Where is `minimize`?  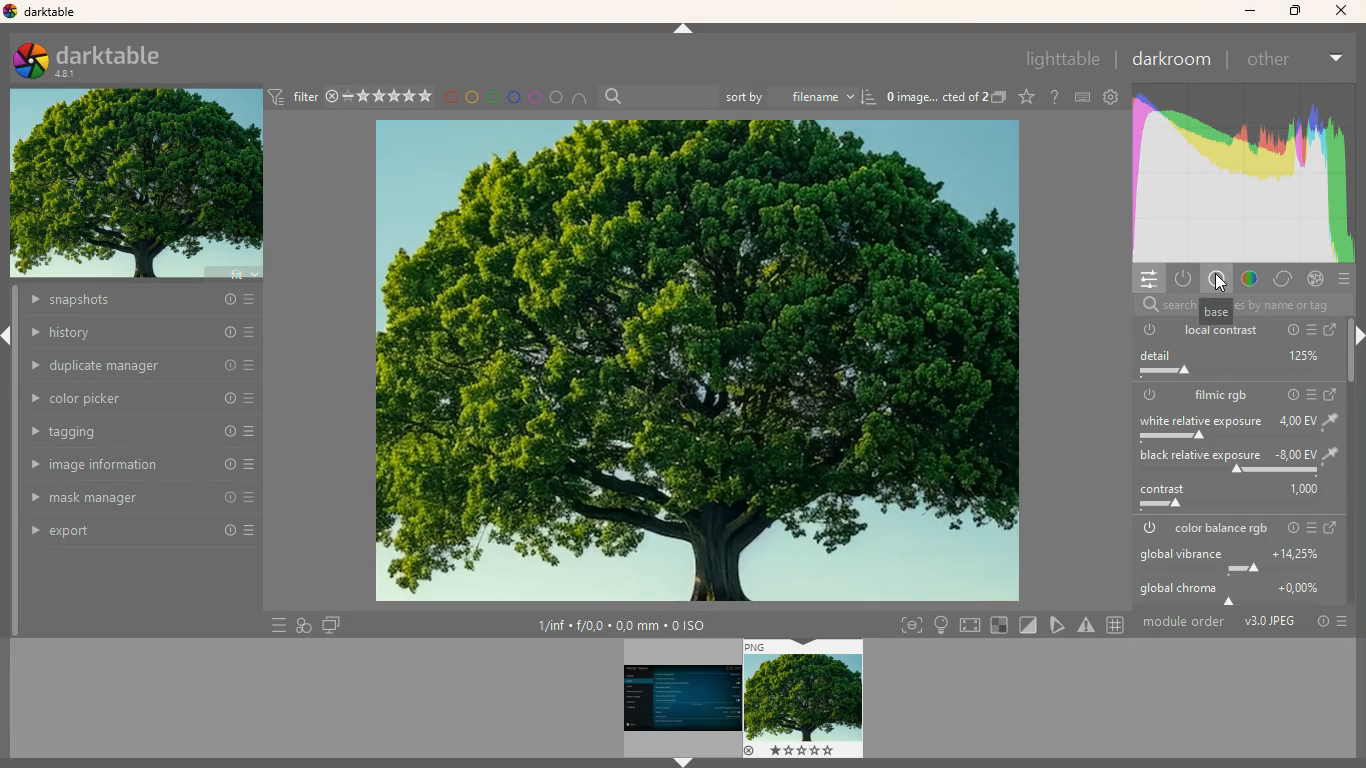 minimize is located at coordinates (1250, 12).